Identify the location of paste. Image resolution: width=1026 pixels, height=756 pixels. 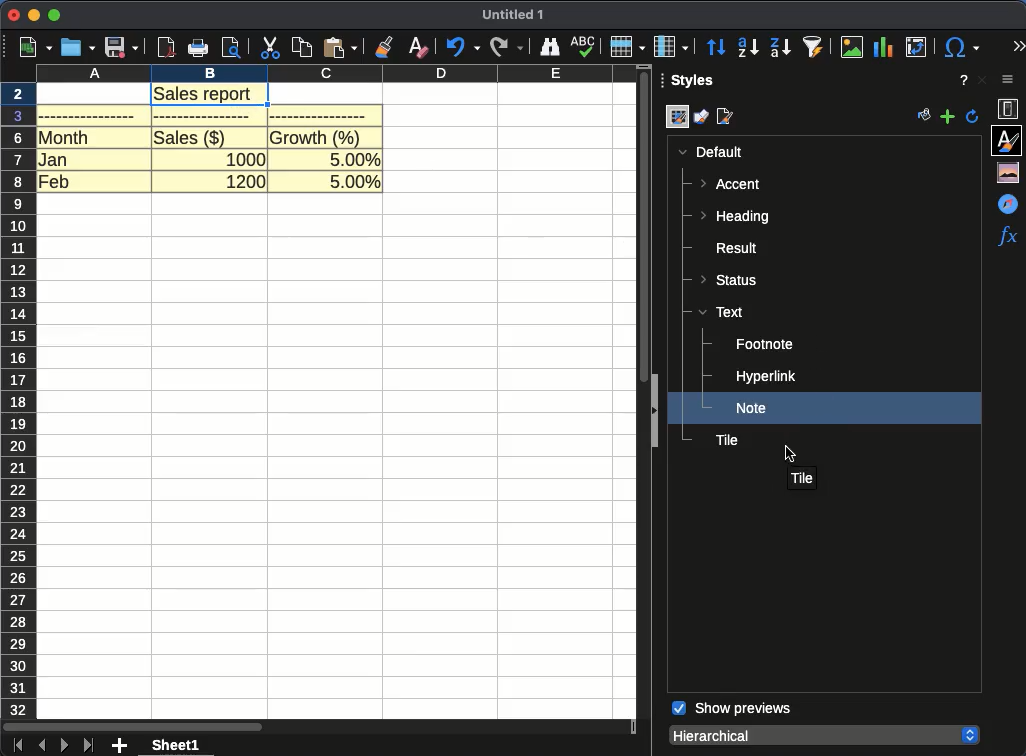
(339, 47).